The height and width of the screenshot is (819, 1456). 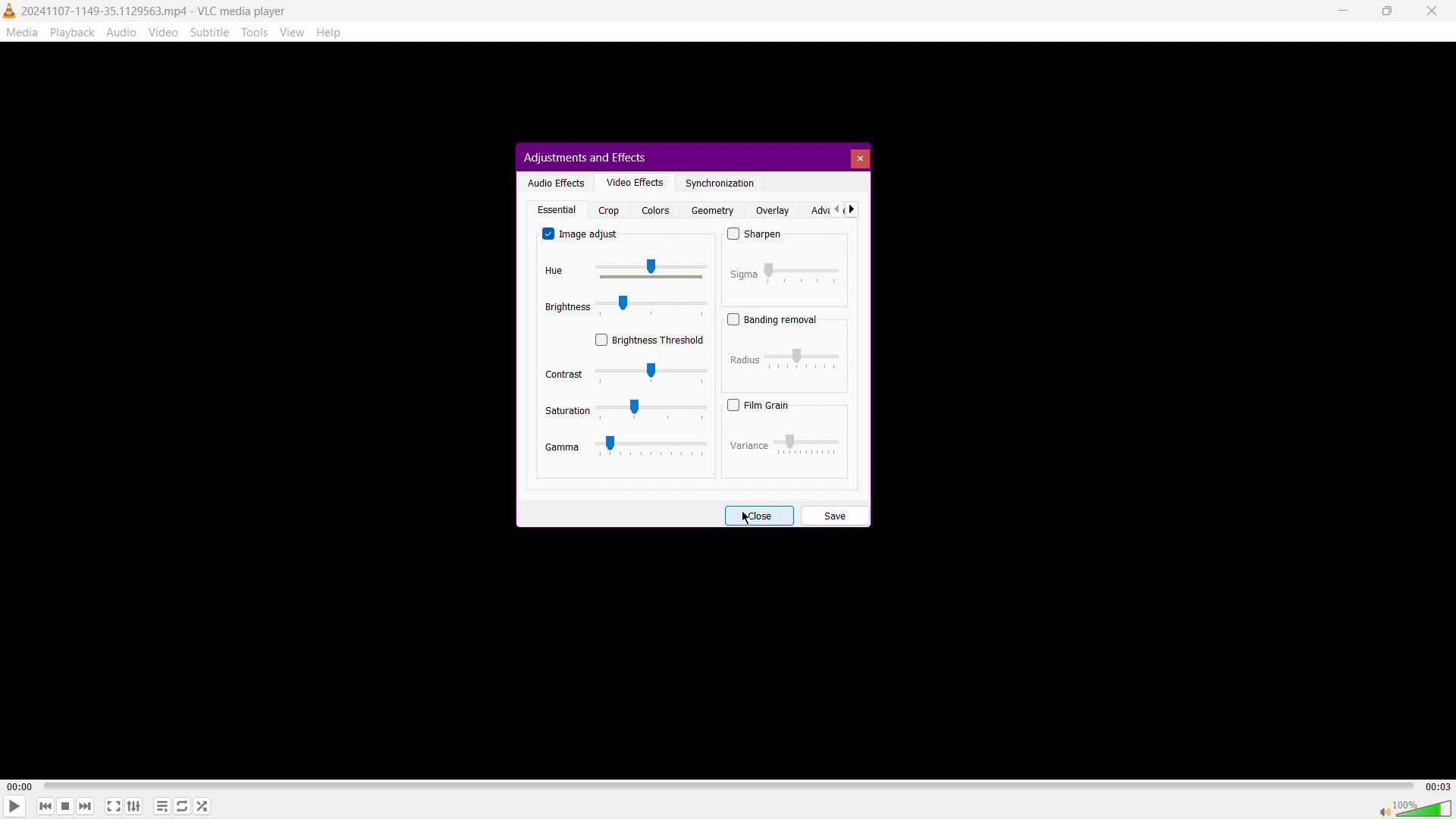 I want to click on Geometry, so click(x=710, y=210).